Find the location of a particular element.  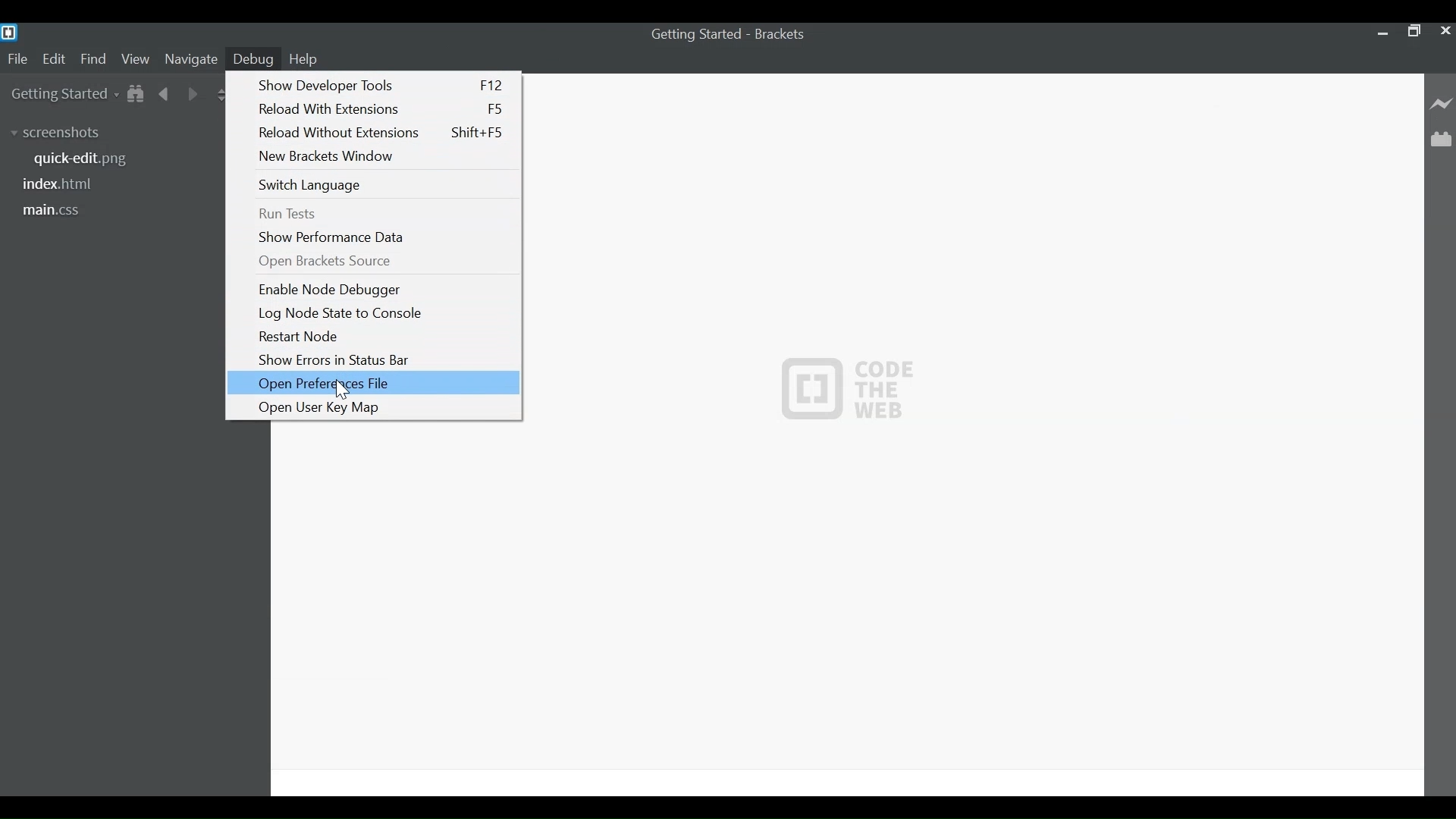

Open Preferences File is located at coordinates (372, 382).